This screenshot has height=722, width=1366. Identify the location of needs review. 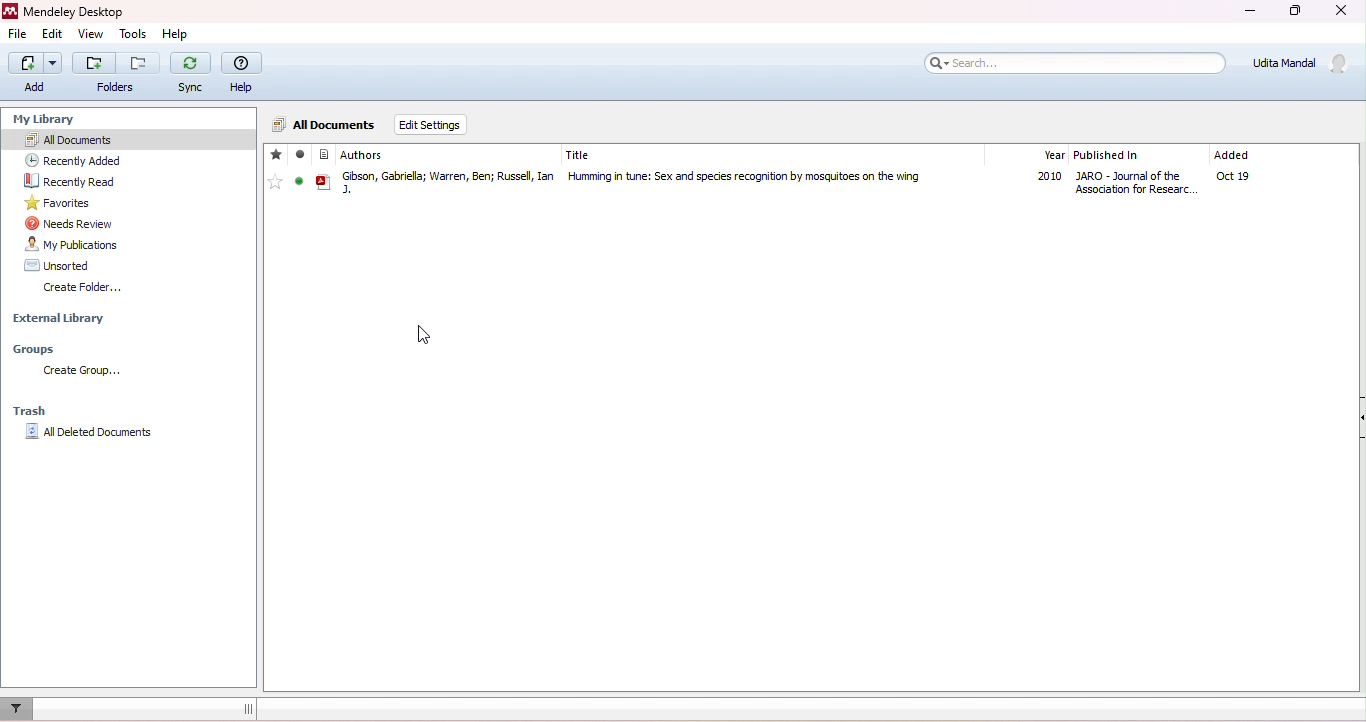
(70, 223).